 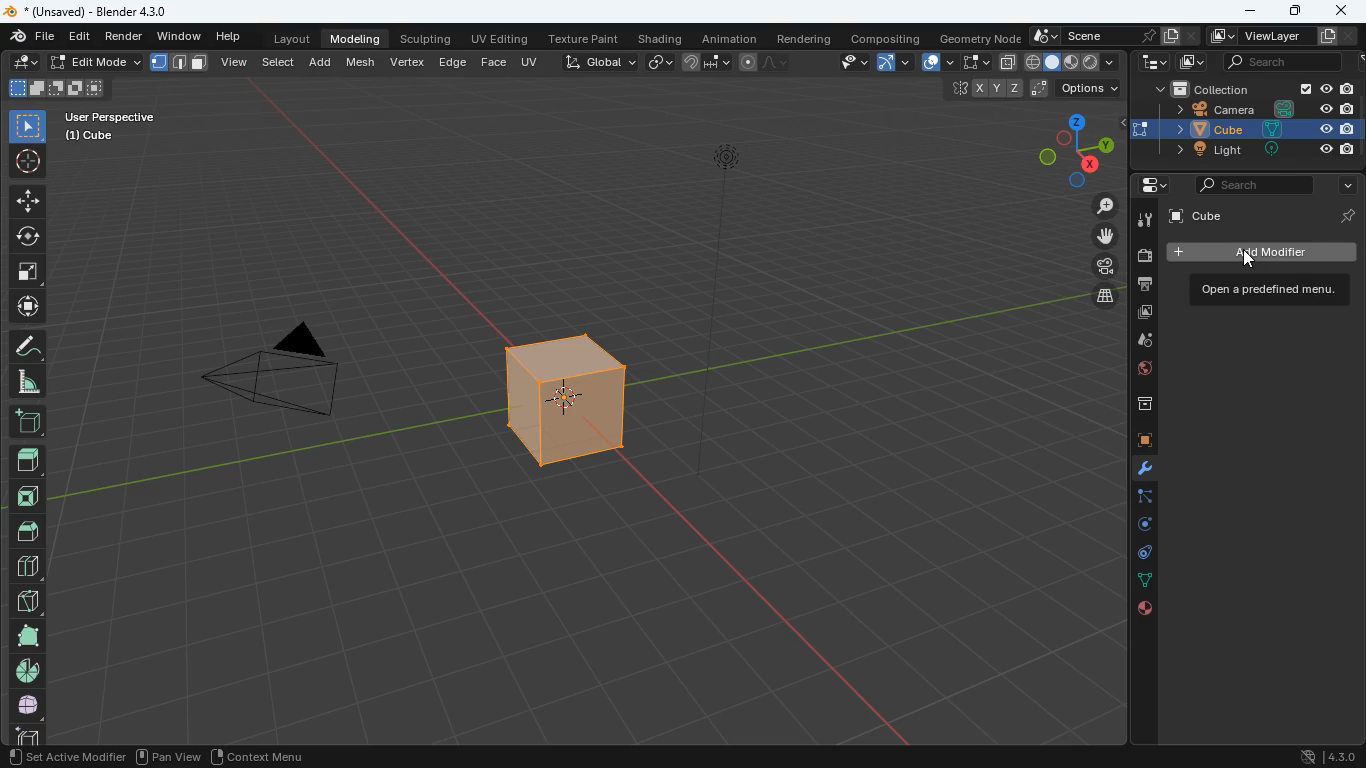 What do you see at coordinates (26, 602) in the screenshot?
I see `diagonal` at bounding box center [26, 602].